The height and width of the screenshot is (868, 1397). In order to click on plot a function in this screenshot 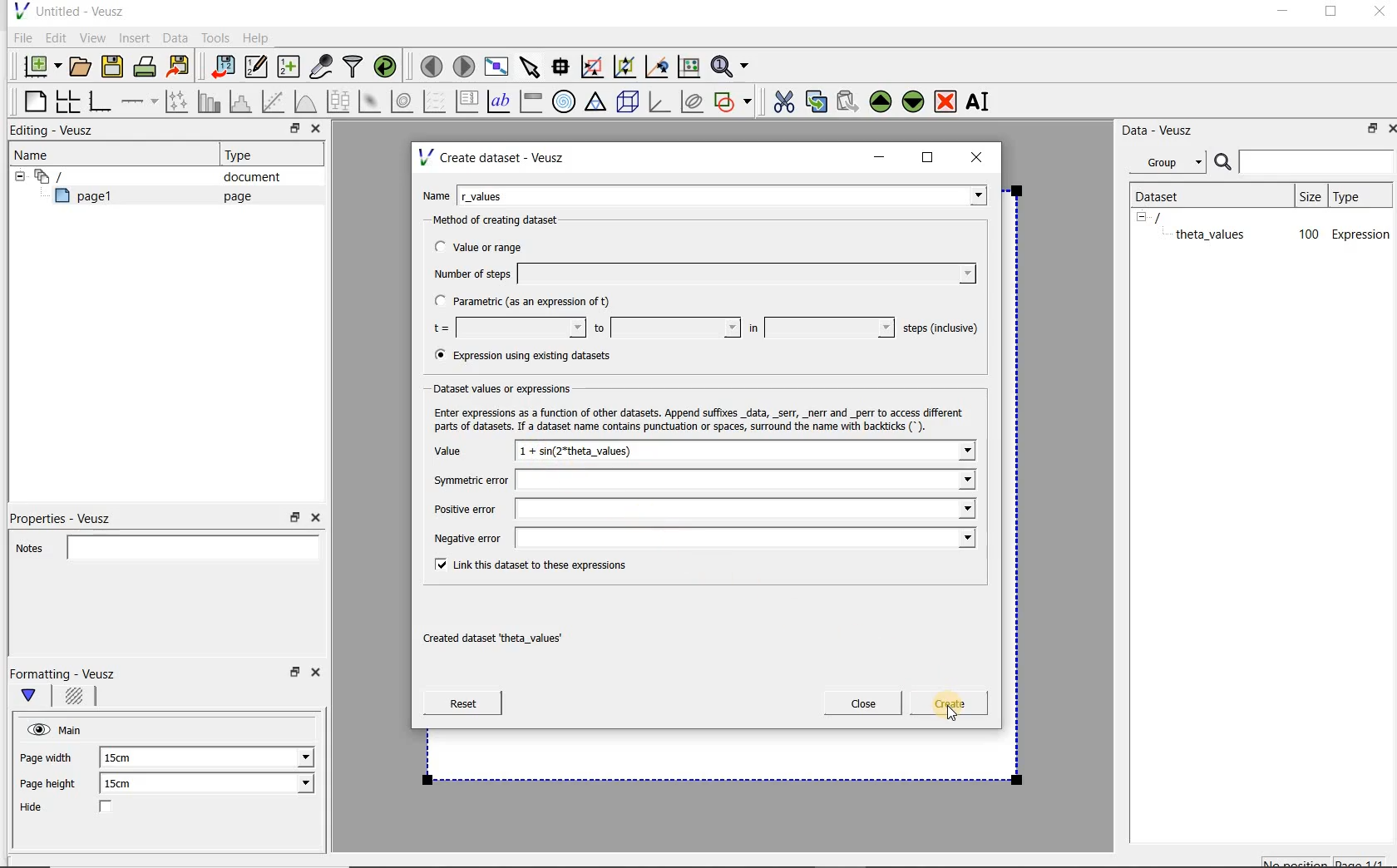, I will do `click(304, 101)`.